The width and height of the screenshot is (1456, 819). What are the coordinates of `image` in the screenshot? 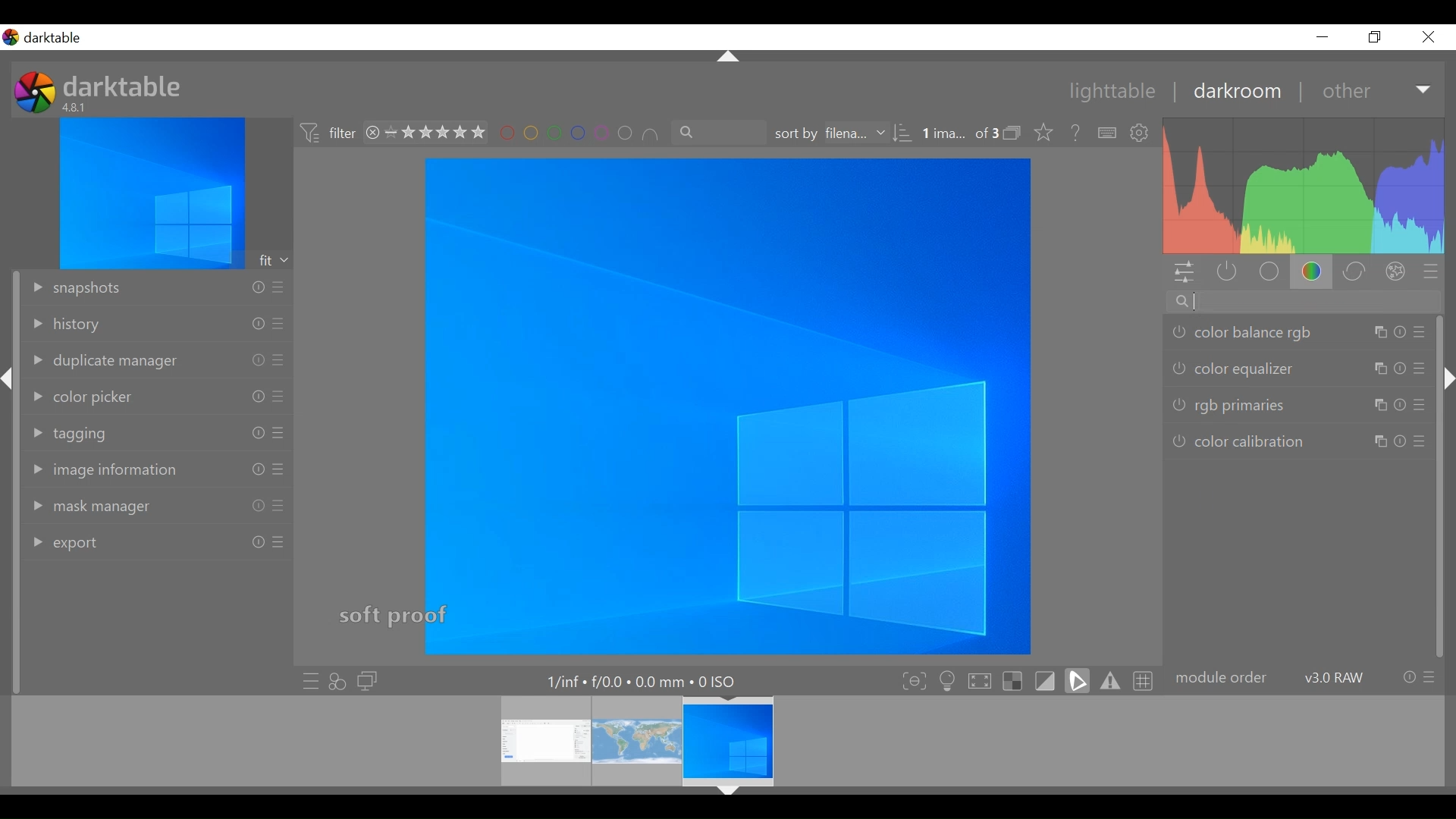 It's located at (727, 406).